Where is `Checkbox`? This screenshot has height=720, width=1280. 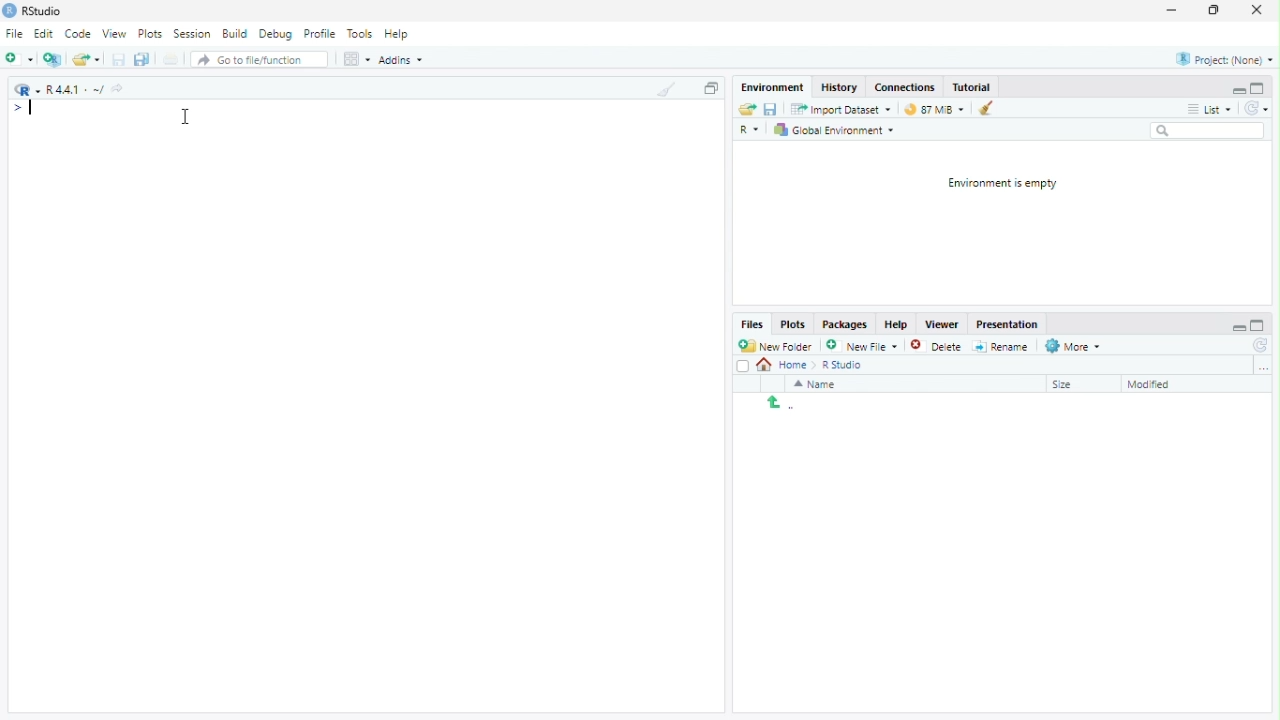
Checkbox is located at coordinates (743, 367).